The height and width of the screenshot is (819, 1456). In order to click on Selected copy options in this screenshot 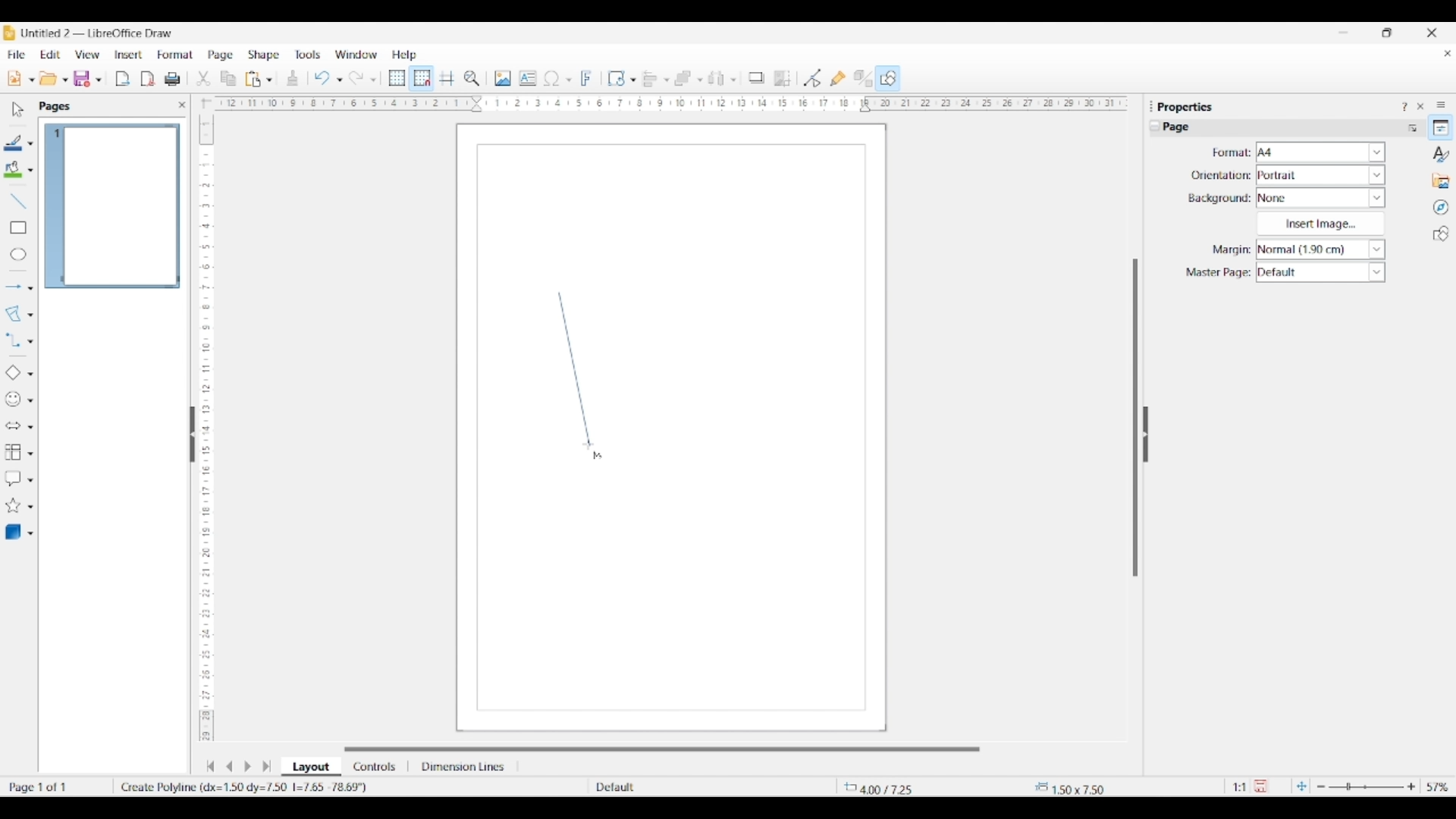, I will do `click(203, 79)`.